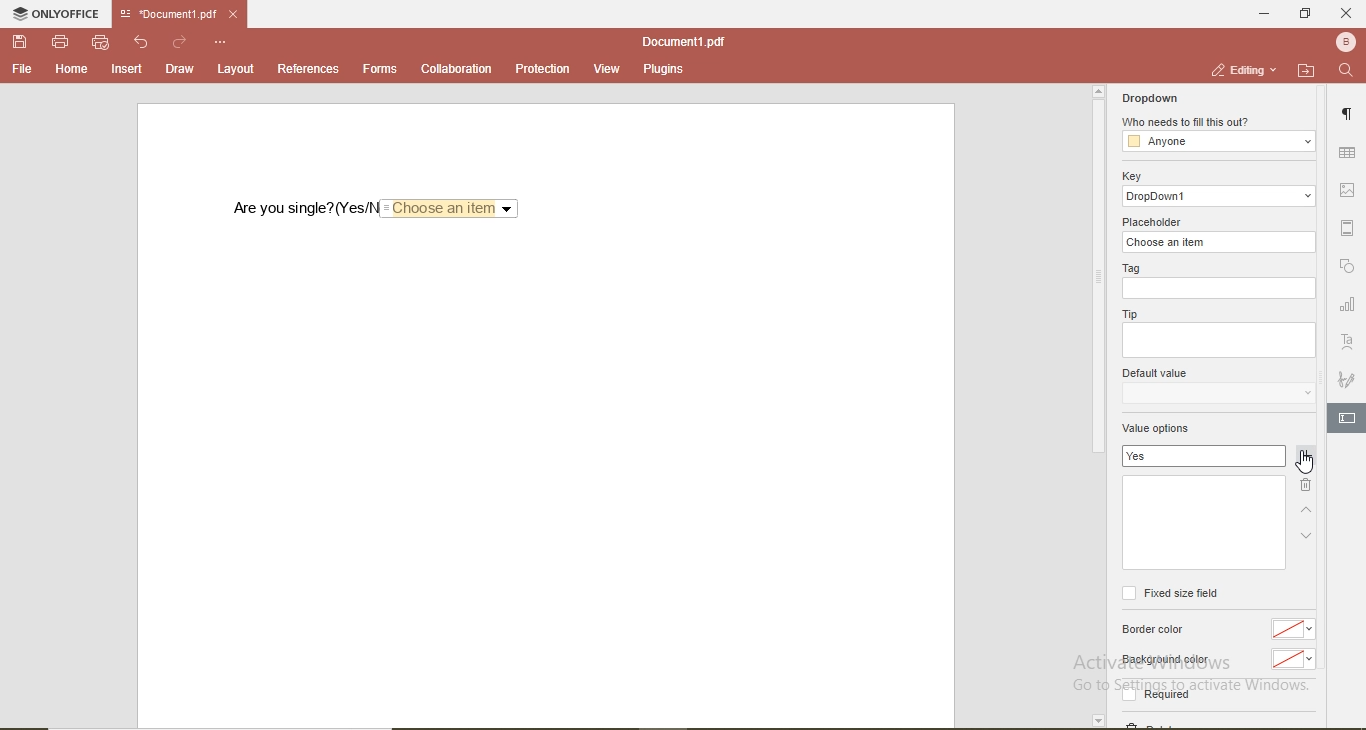 The width and height of the screenshot is (1366, 730). I want to click on open file location, so click(1307, 71).